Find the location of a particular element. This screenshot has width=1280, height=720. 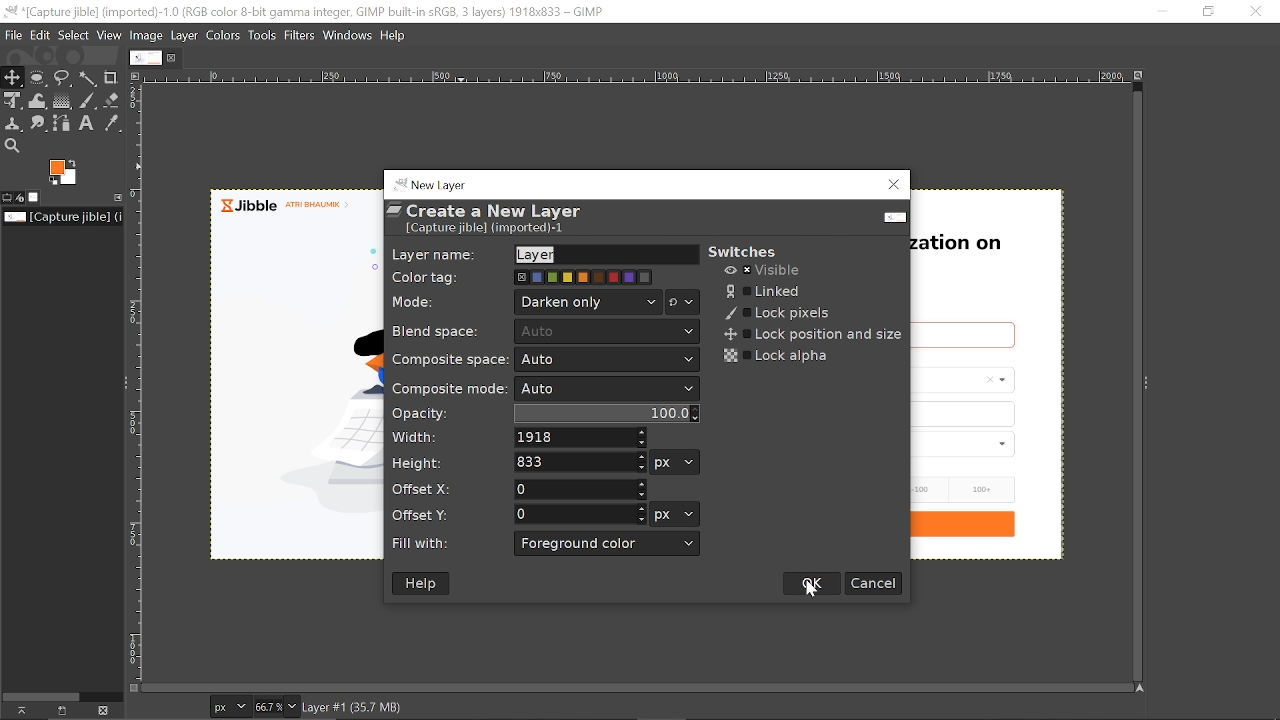

Free select tool is located at coordinates (63, 79).